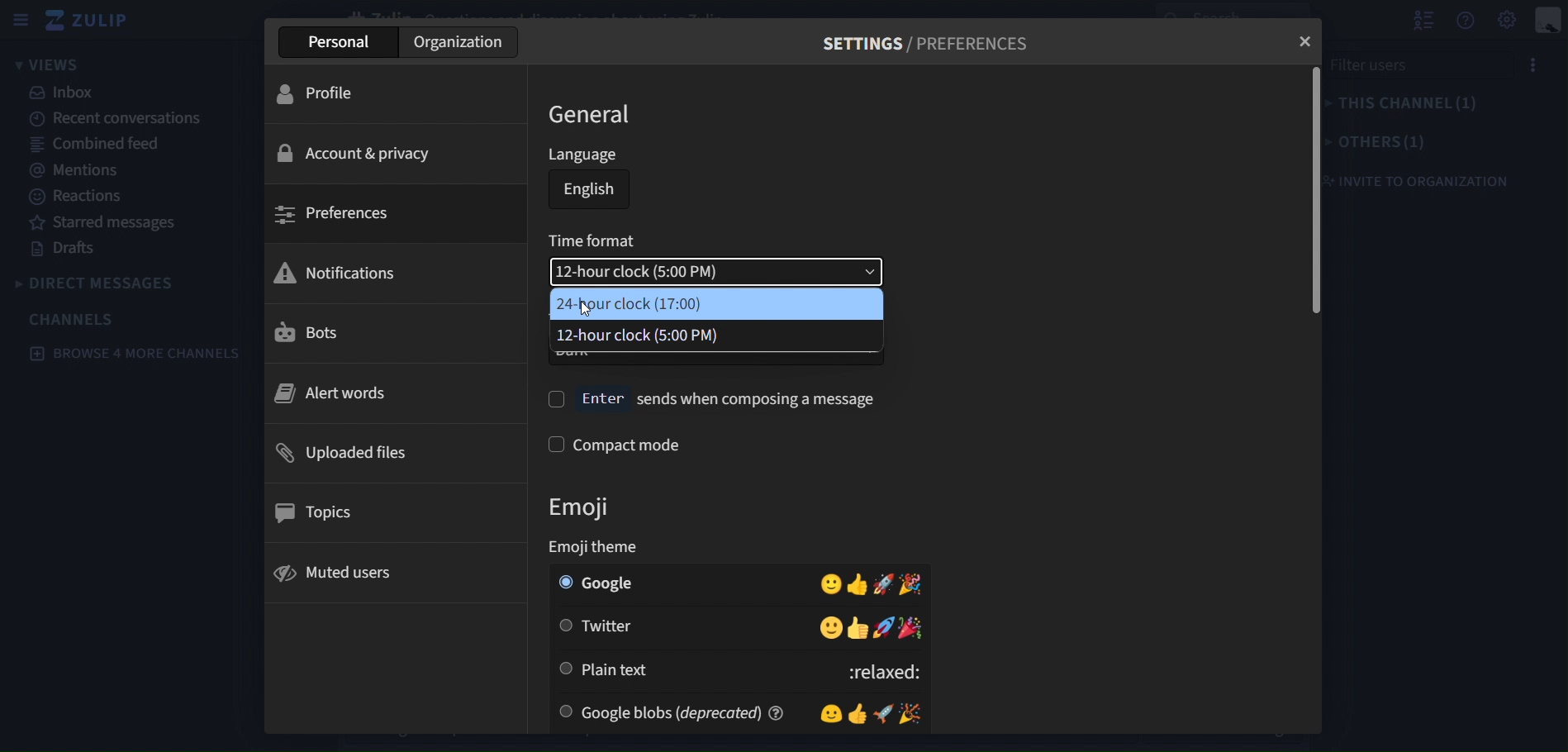 The image size is (1568, 752). I want to click on Emoji theme, so click(612, 548).